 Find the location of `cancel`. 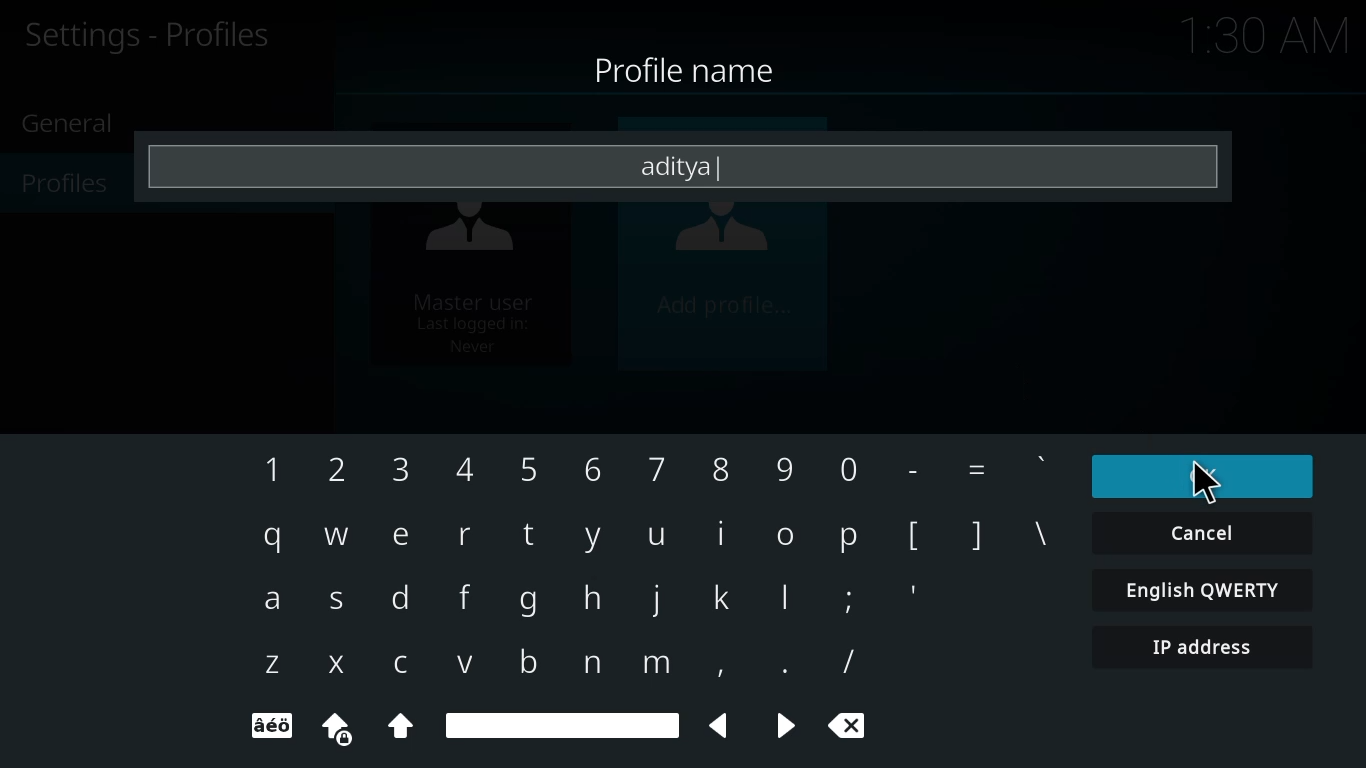

cancel is located at coordinates (853, 731).